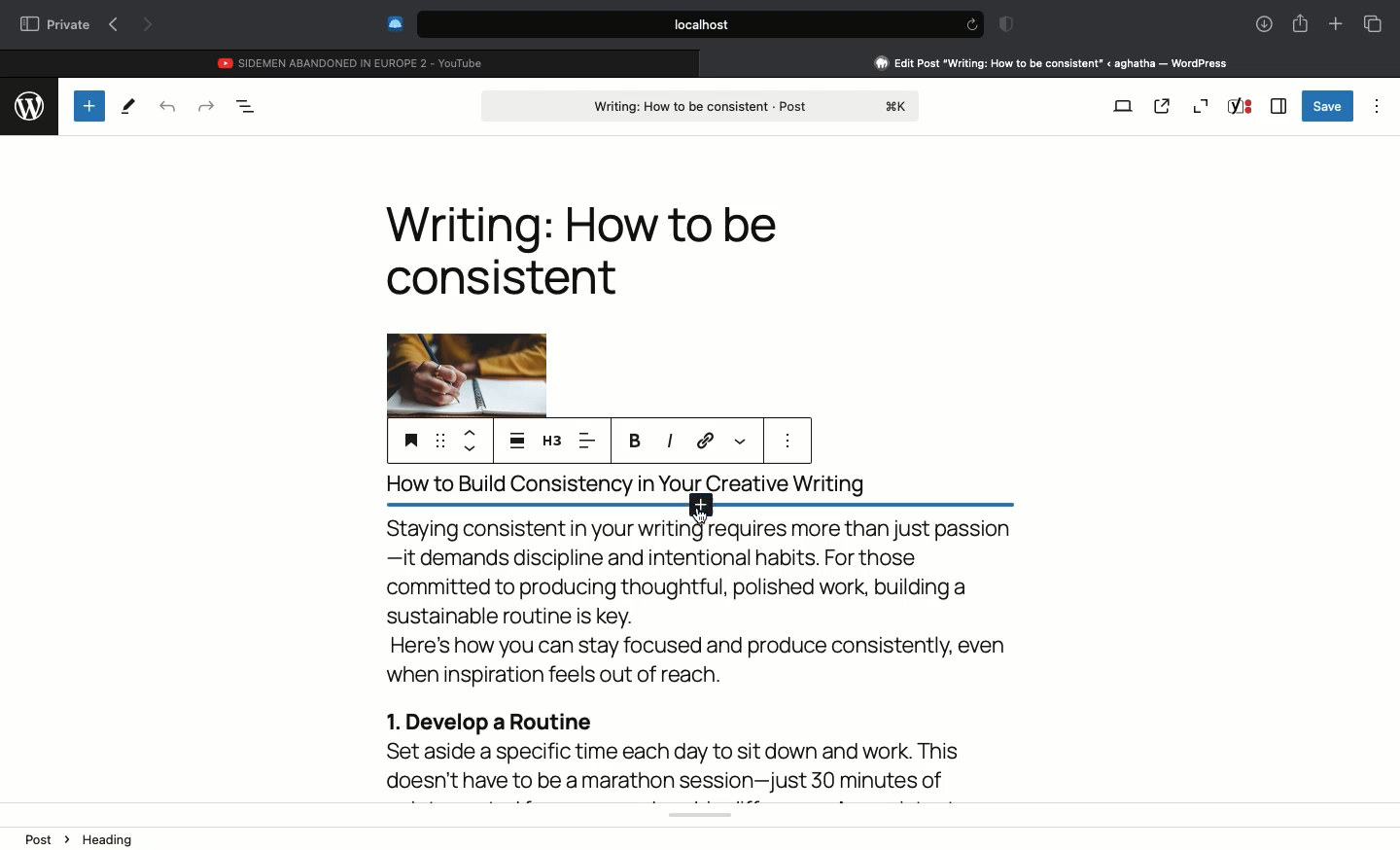  Describe the element at coordinates (1278, 106) in the screenshot. I see `Sidebar` at that location.